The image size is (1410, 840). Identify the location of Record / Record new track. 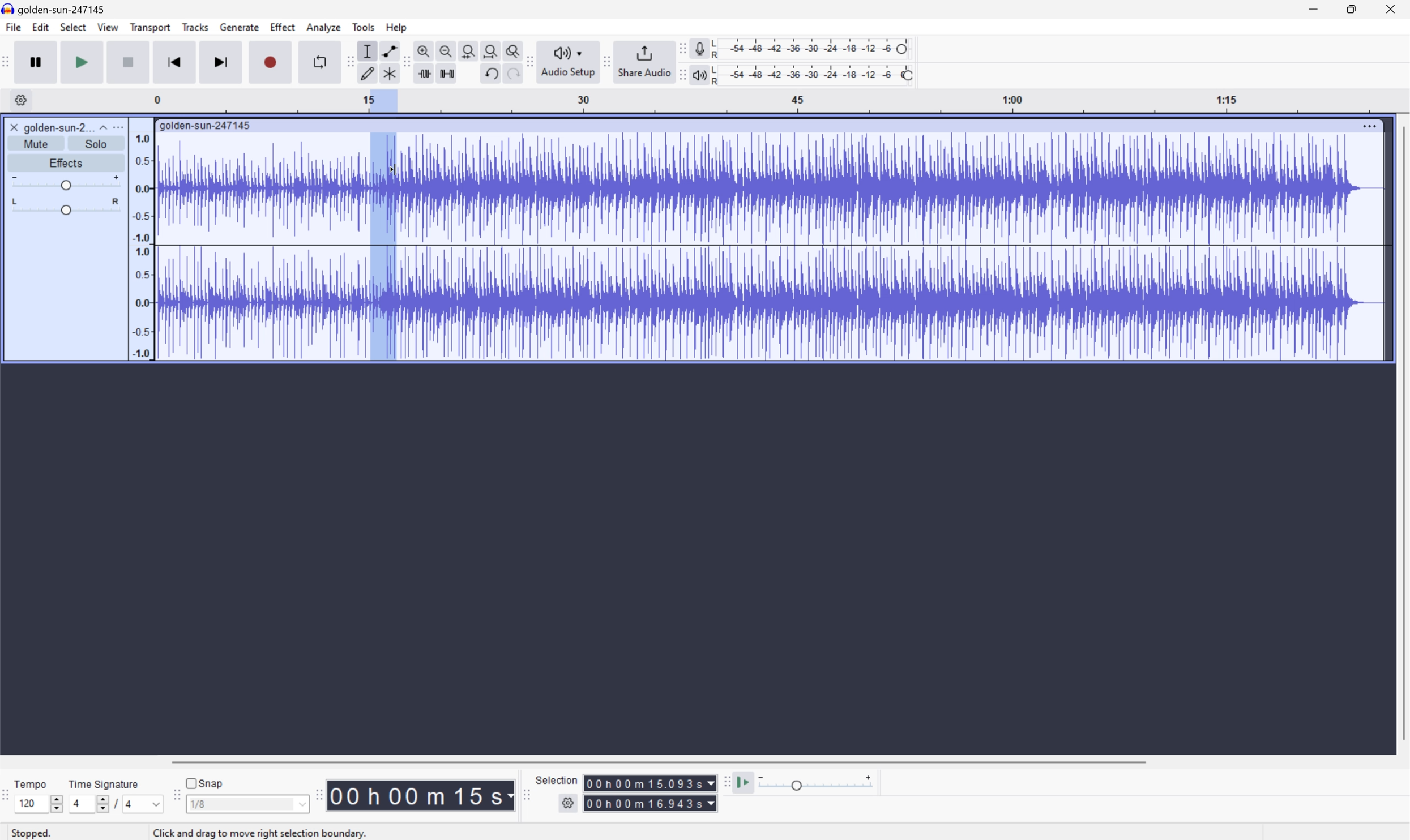
(272, 62).